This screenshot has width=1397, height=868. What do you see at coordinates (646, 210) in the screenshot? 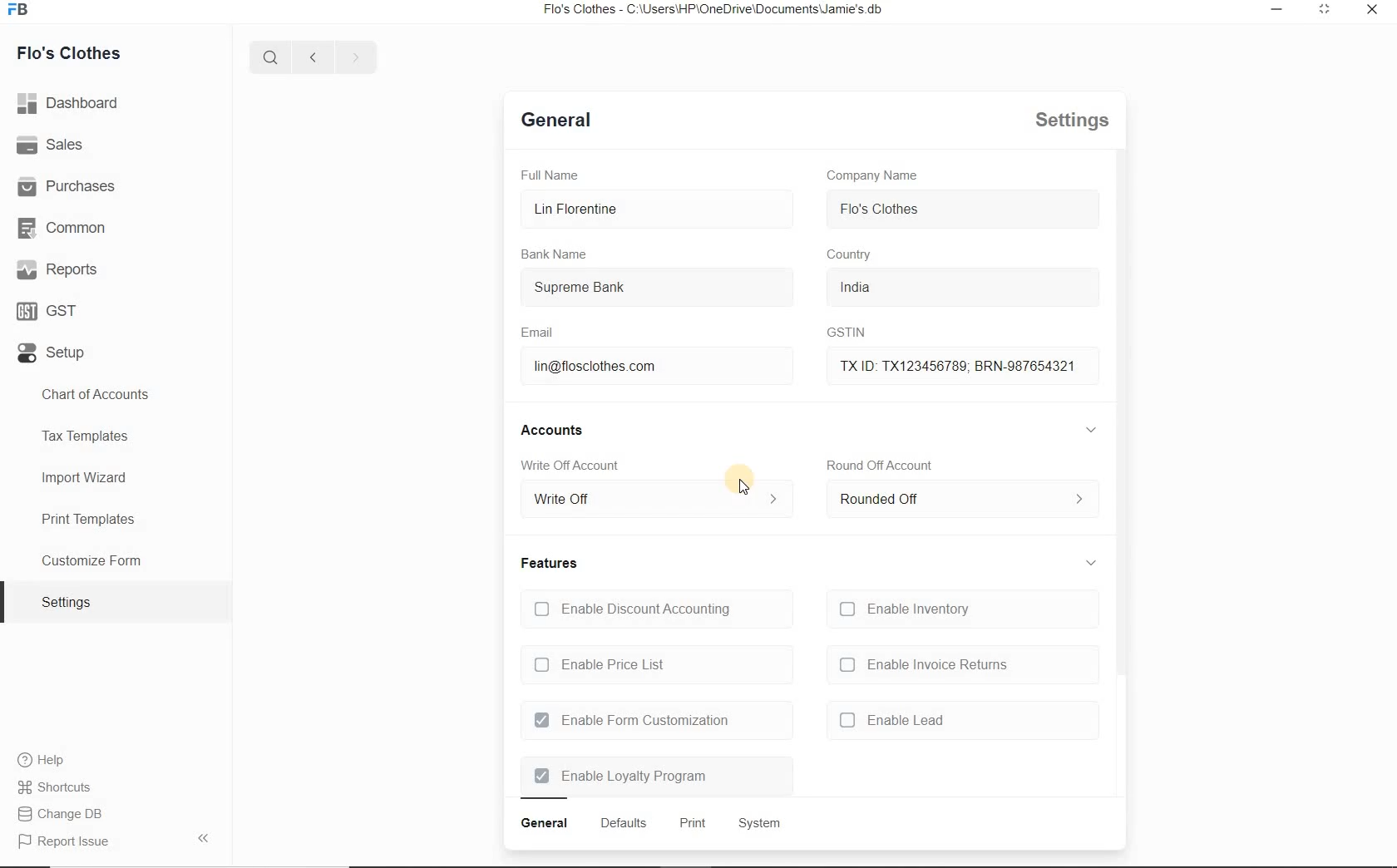
I see `Lin Florentine` at bounding box center [646, 210].